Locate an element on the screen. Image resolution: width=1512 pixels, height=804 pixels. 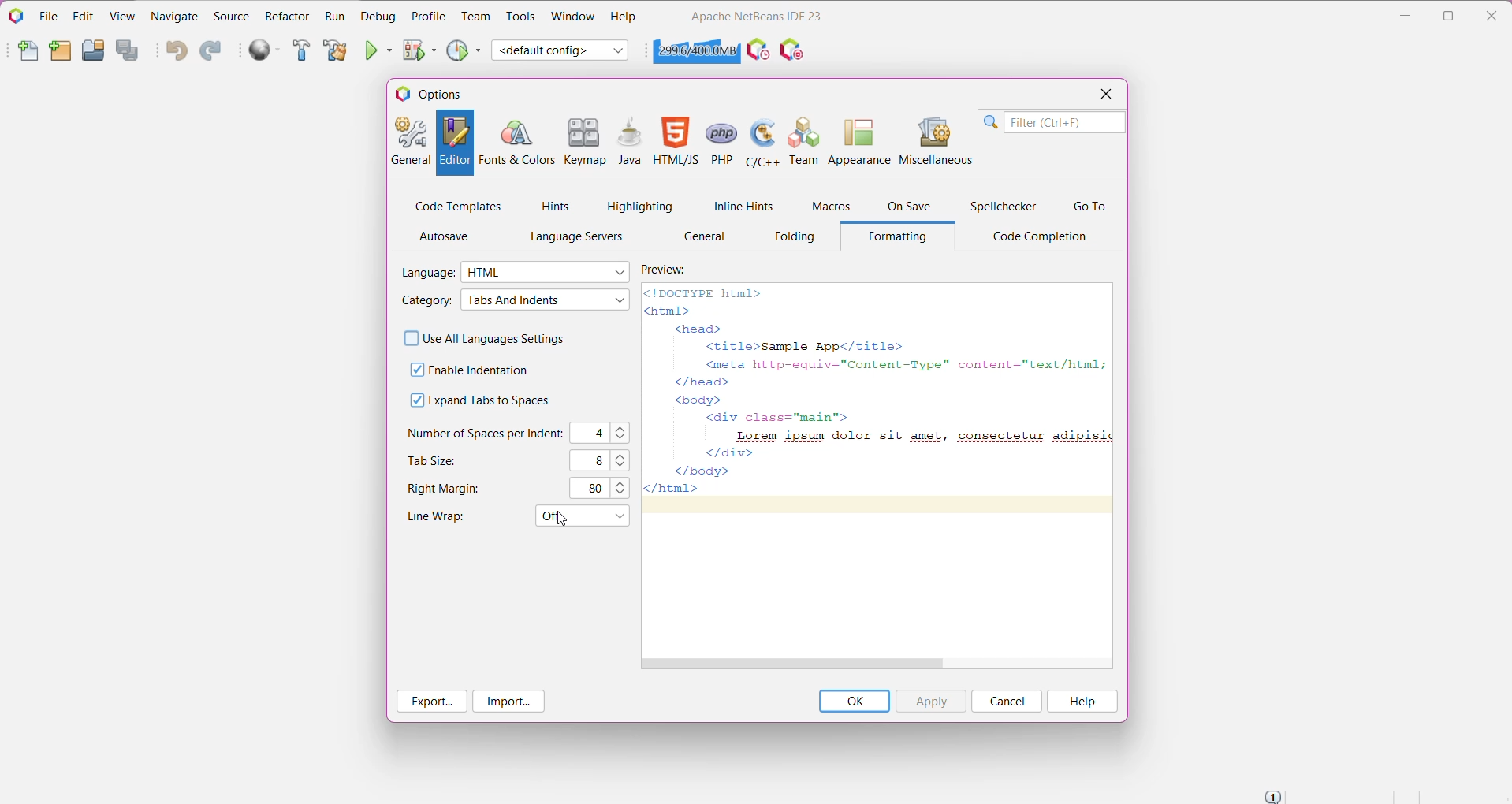
OK is located at coordinates (854, 701).